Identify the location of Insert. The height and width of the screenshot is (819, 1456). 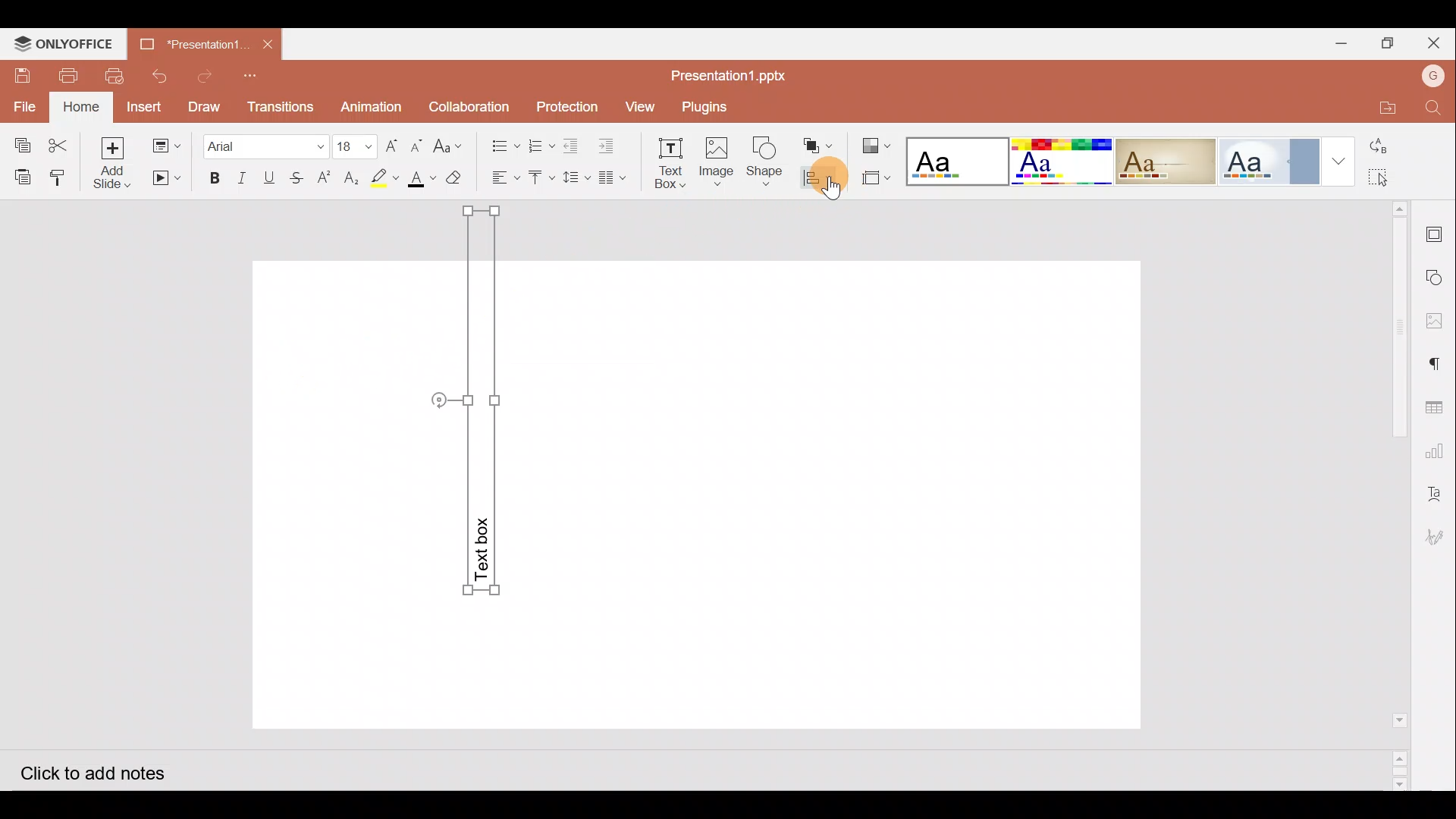
(144, 107).